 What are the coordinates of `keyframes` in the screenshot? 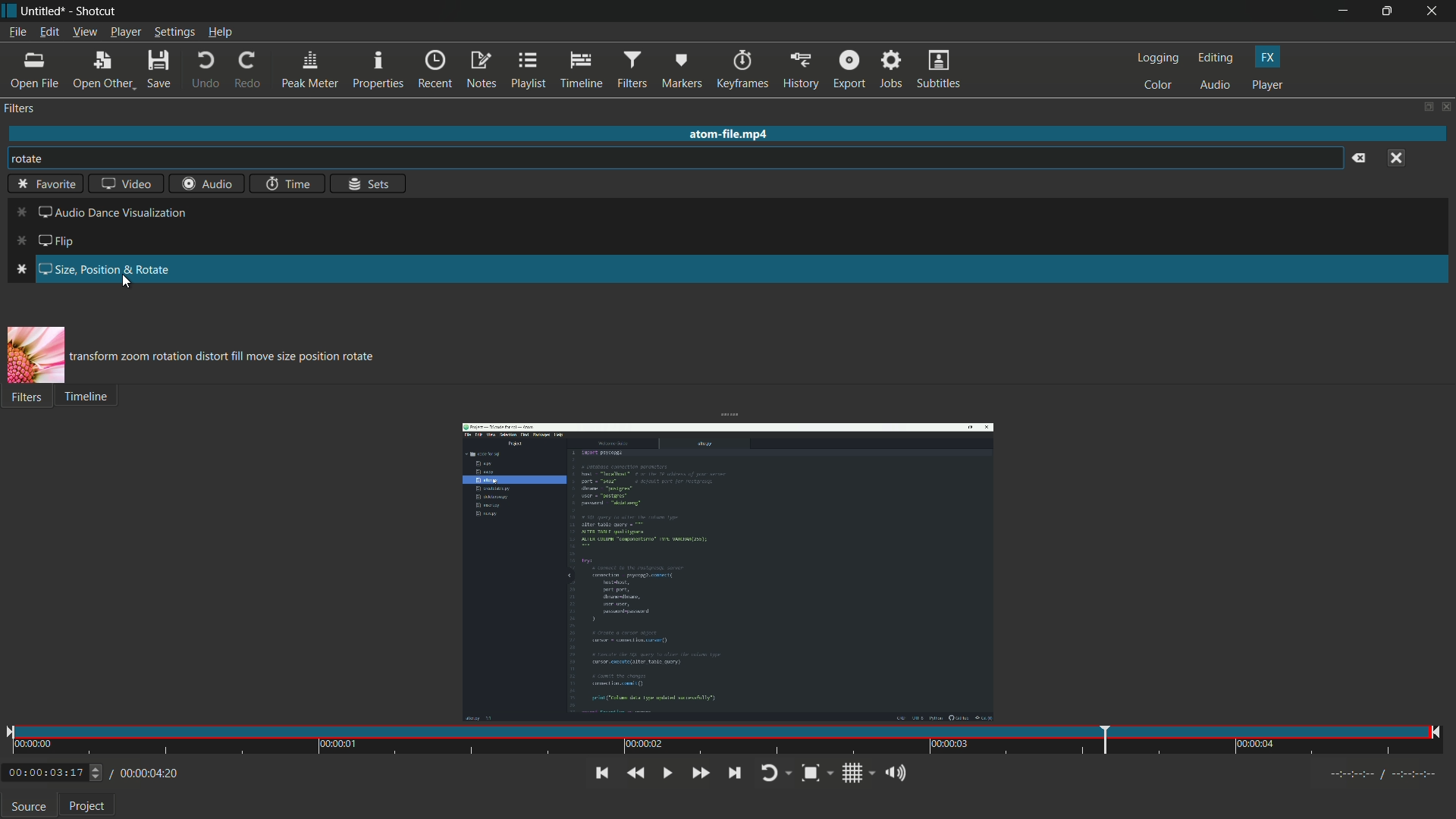 It's located at (741, 71).